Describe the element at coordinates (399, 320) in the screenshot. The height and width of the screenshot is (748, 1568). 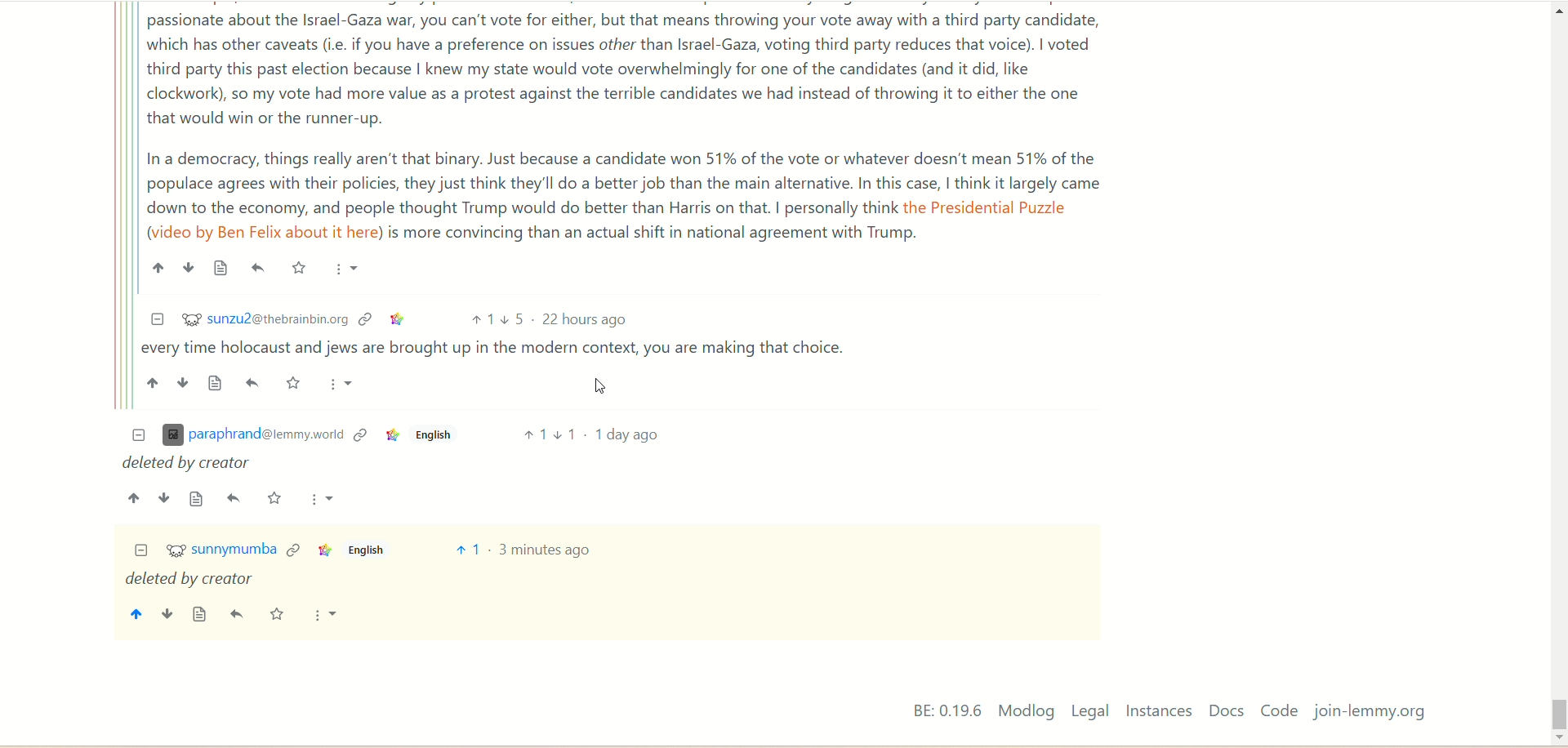
I see `Link` at that location.